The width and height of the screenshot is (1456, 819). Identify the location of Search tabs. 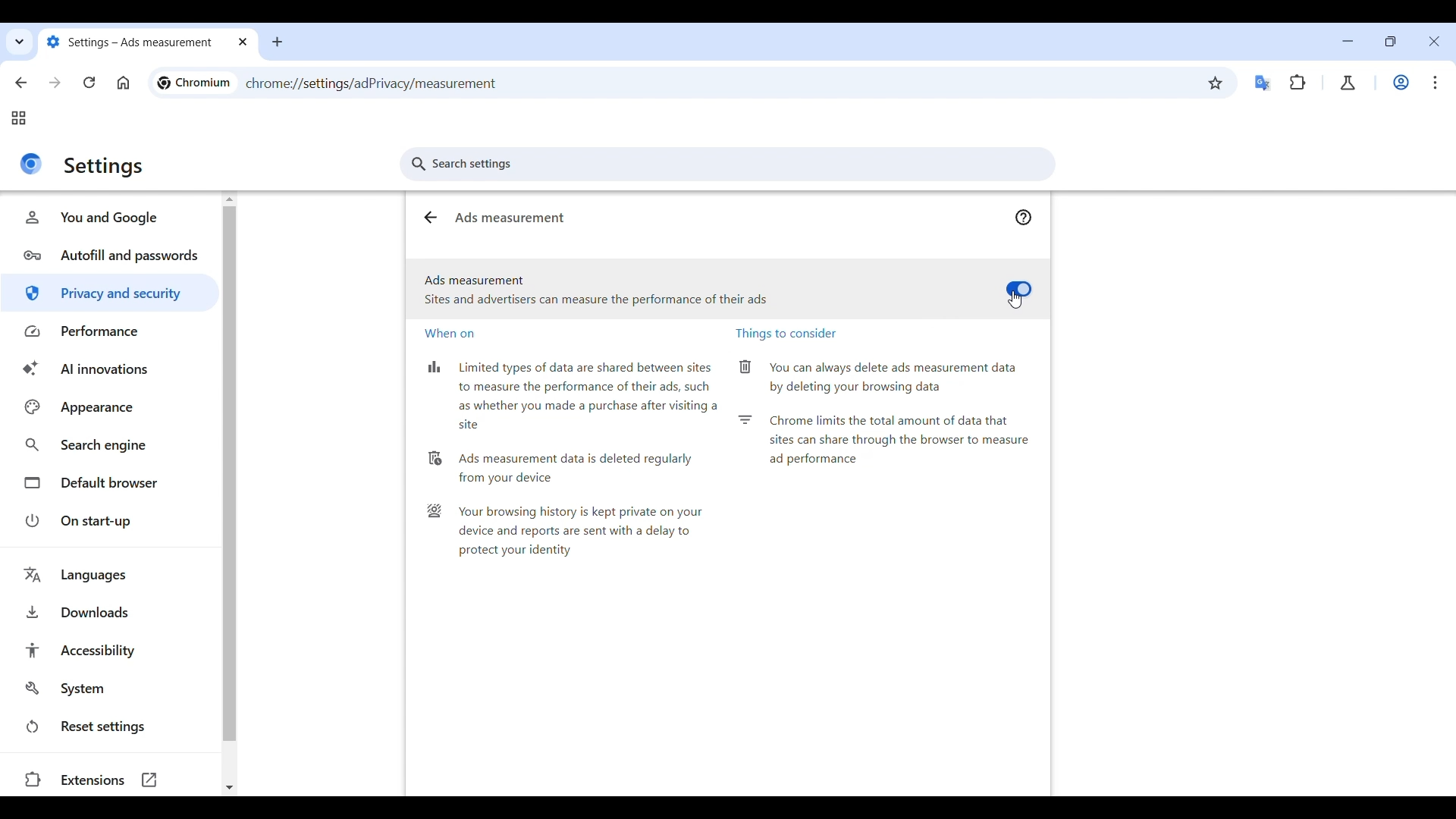
(20, 42).